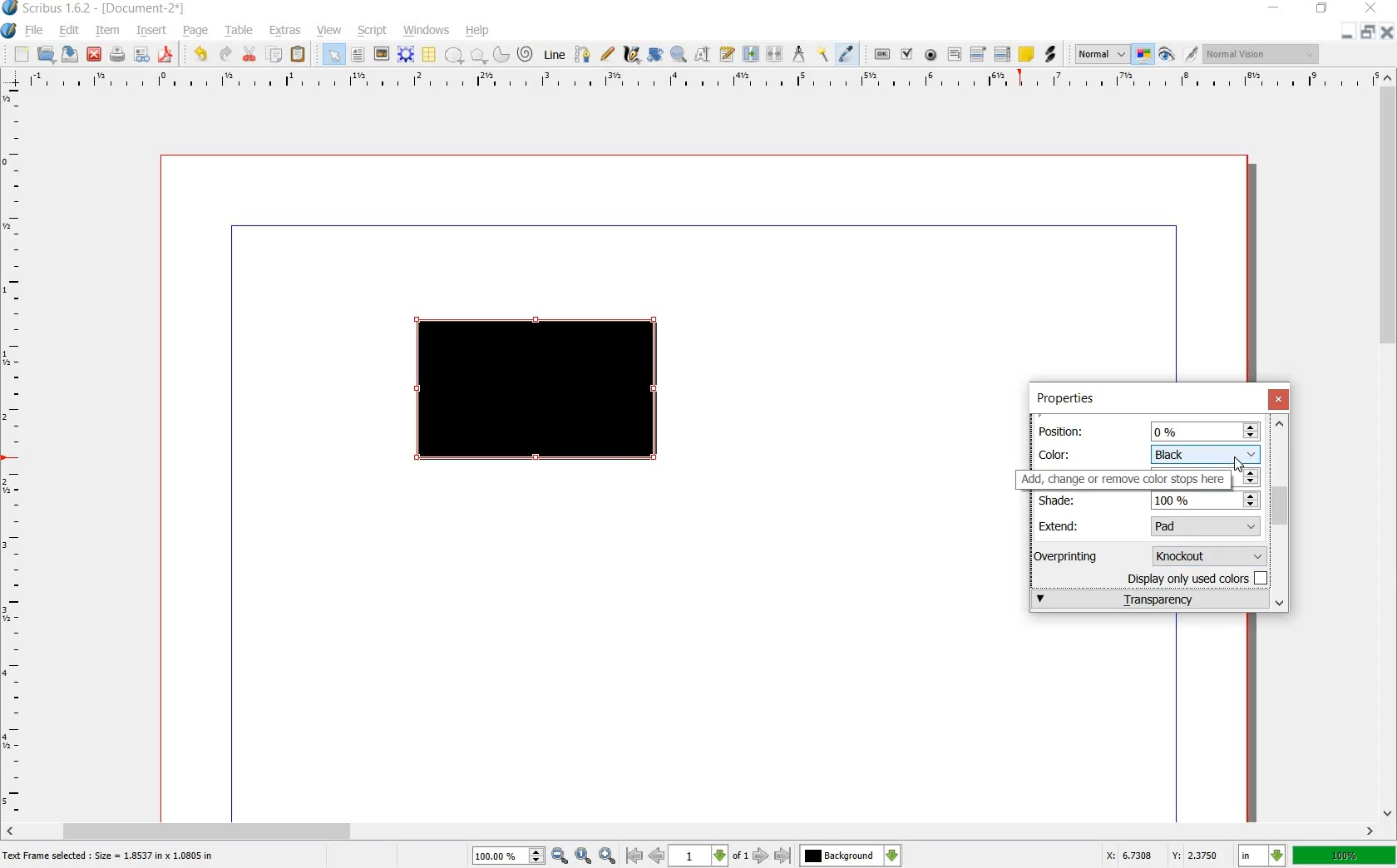 Image resolution: width=1397 pixels, height=868 pixels. I want to click on undo, so click(203, 55).